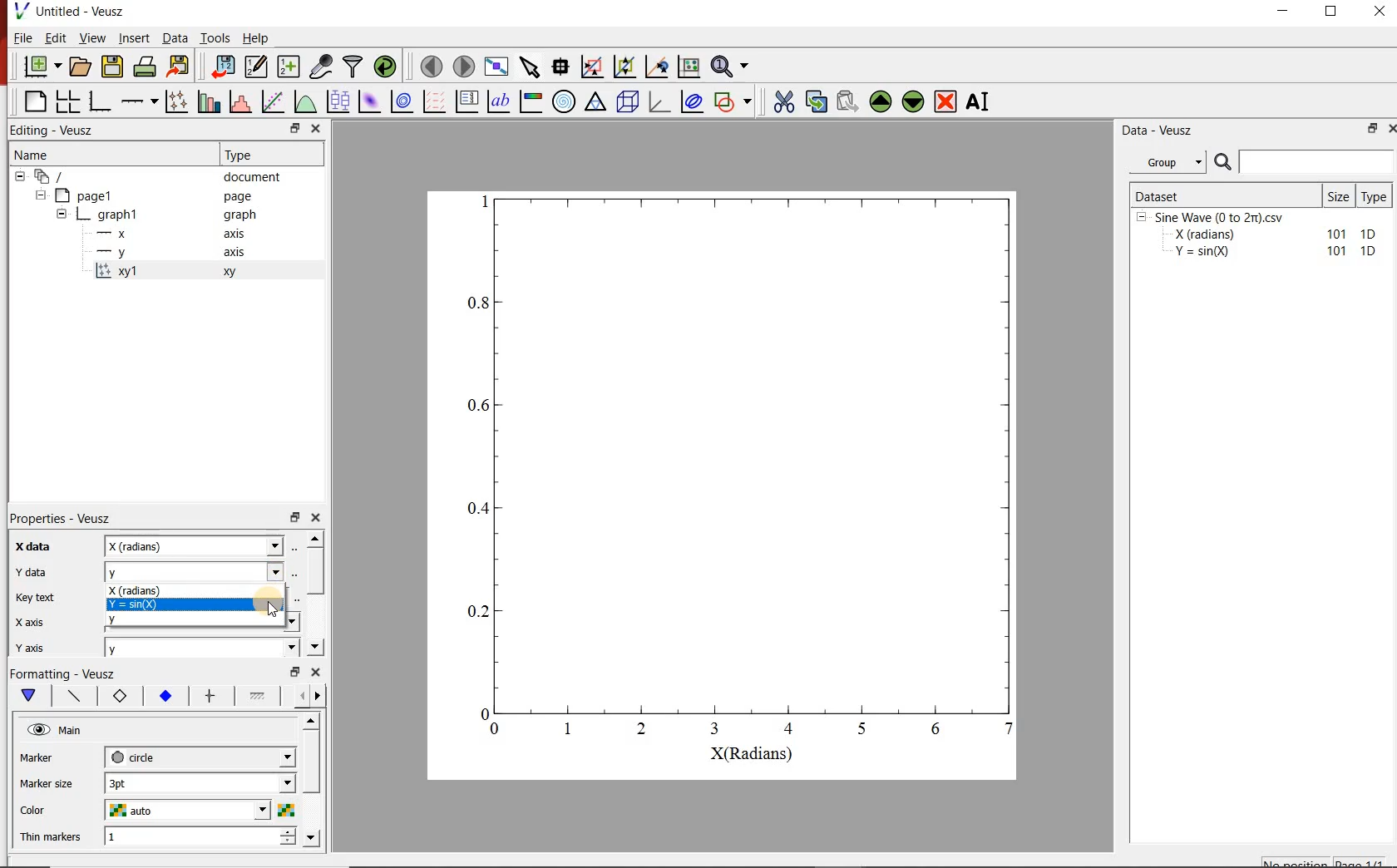  I want to click on Edit, so click(56, 38).